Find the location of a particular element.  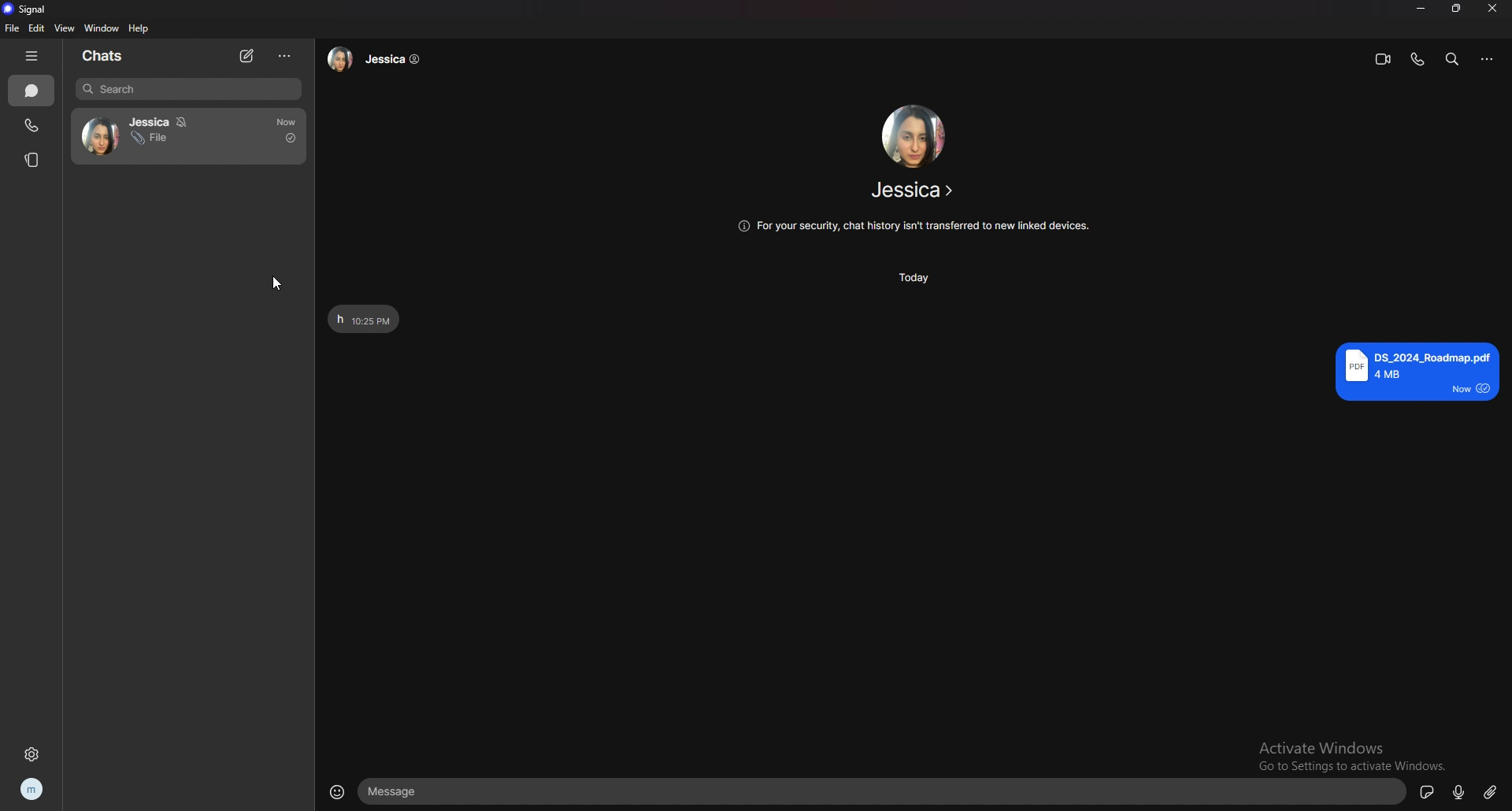

search is located at coordinates (188, 89).